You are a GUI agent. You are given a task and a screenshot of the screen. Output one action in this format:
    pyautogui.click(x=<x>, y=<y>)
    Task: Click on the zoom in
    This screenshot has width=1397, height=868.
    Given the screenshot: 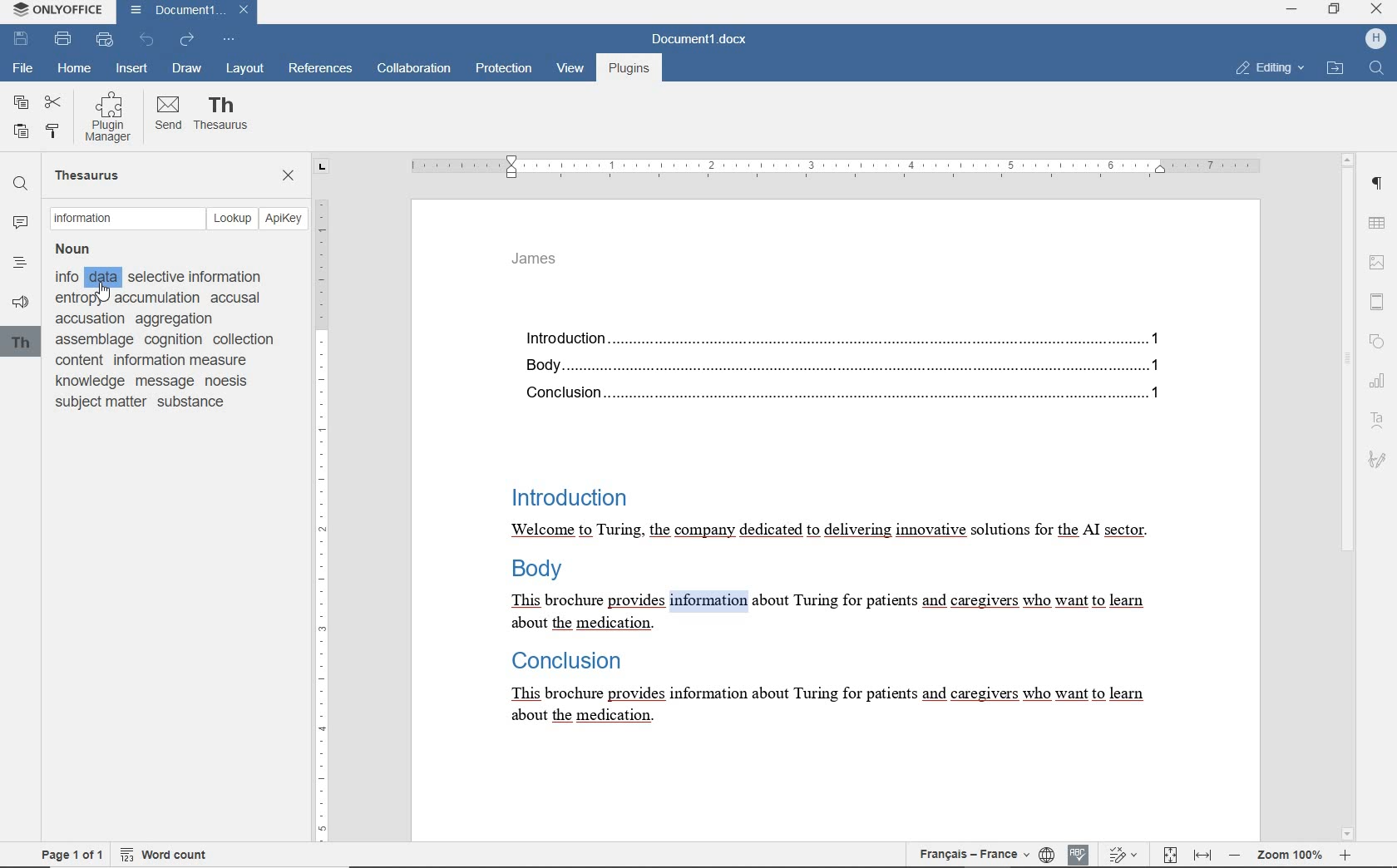 What is the action you would take?
    pyautogui.click(x=1350, y=856)
    